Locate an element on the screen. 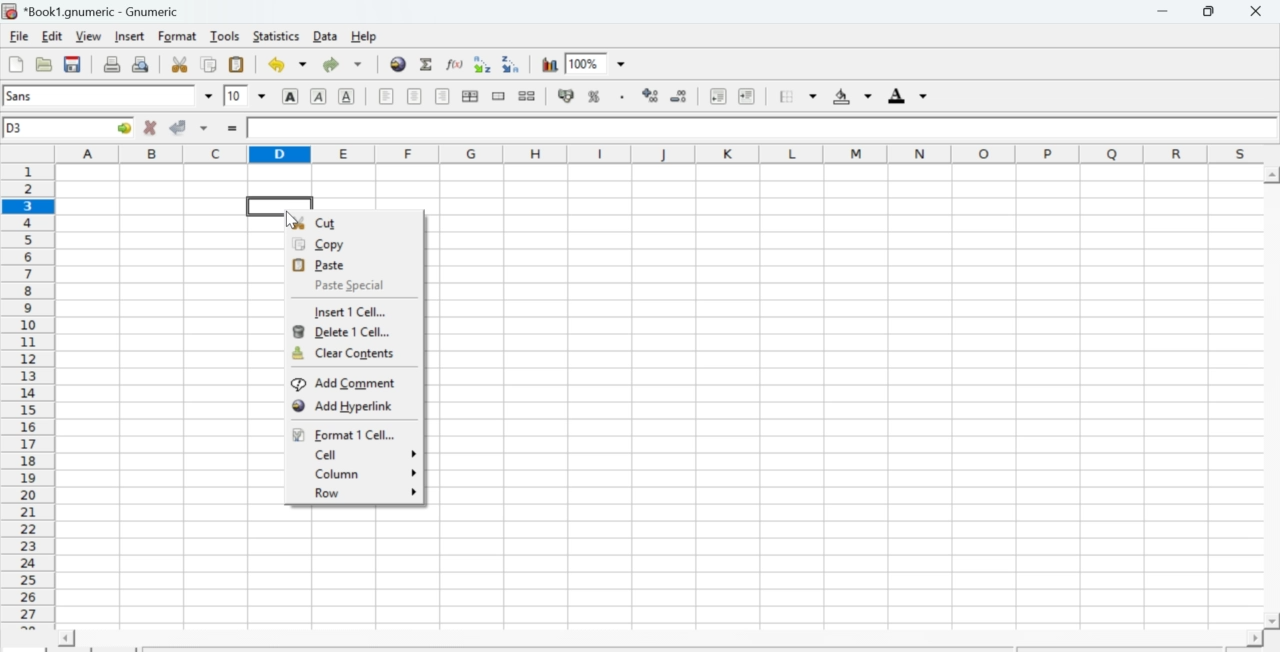 This screenshot has height=652, width=1280. Undo is located at coordinates (285, 64).